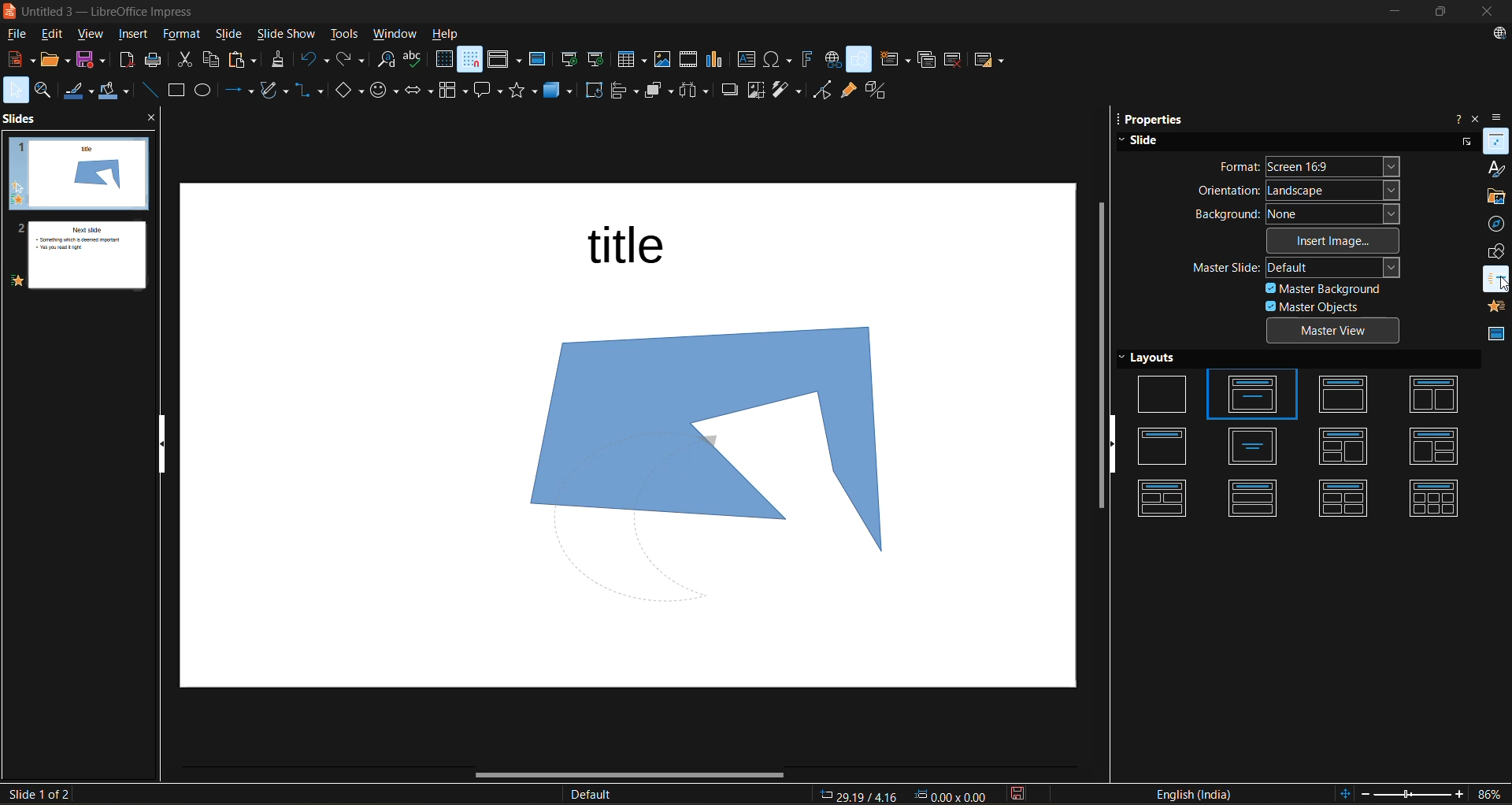  What do you see at coordinates (861, 60) in the screenshot?
I see `show draw functions` at bounding box center [861, 60].